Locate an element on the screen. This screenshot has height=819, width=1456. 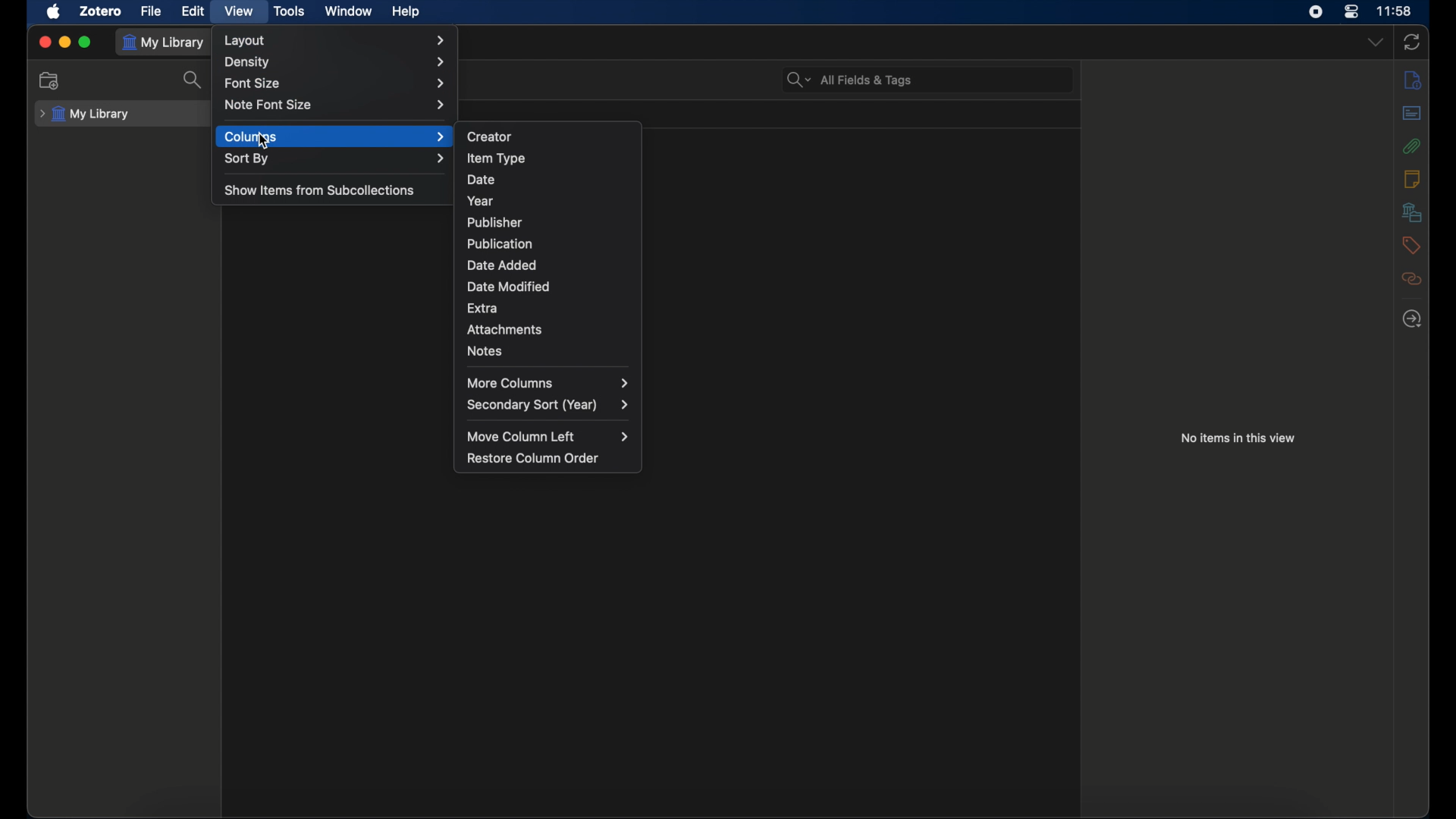
date modified is located at coordinates (508, 287).